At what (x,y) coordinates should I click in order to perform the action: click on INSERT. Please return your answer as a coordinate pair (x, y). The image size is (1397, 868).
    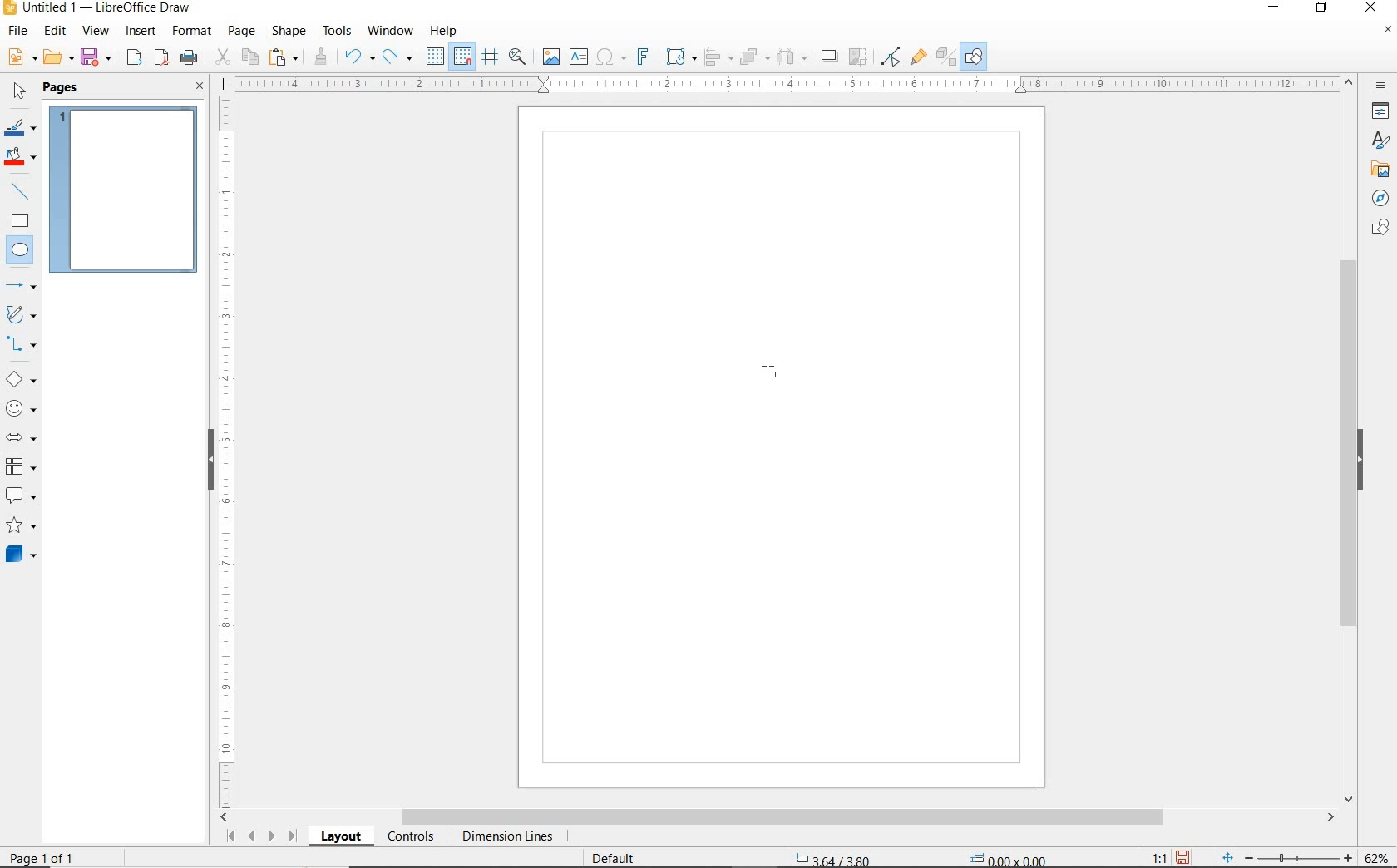
    Looking at the image, I should click on (143, 32).